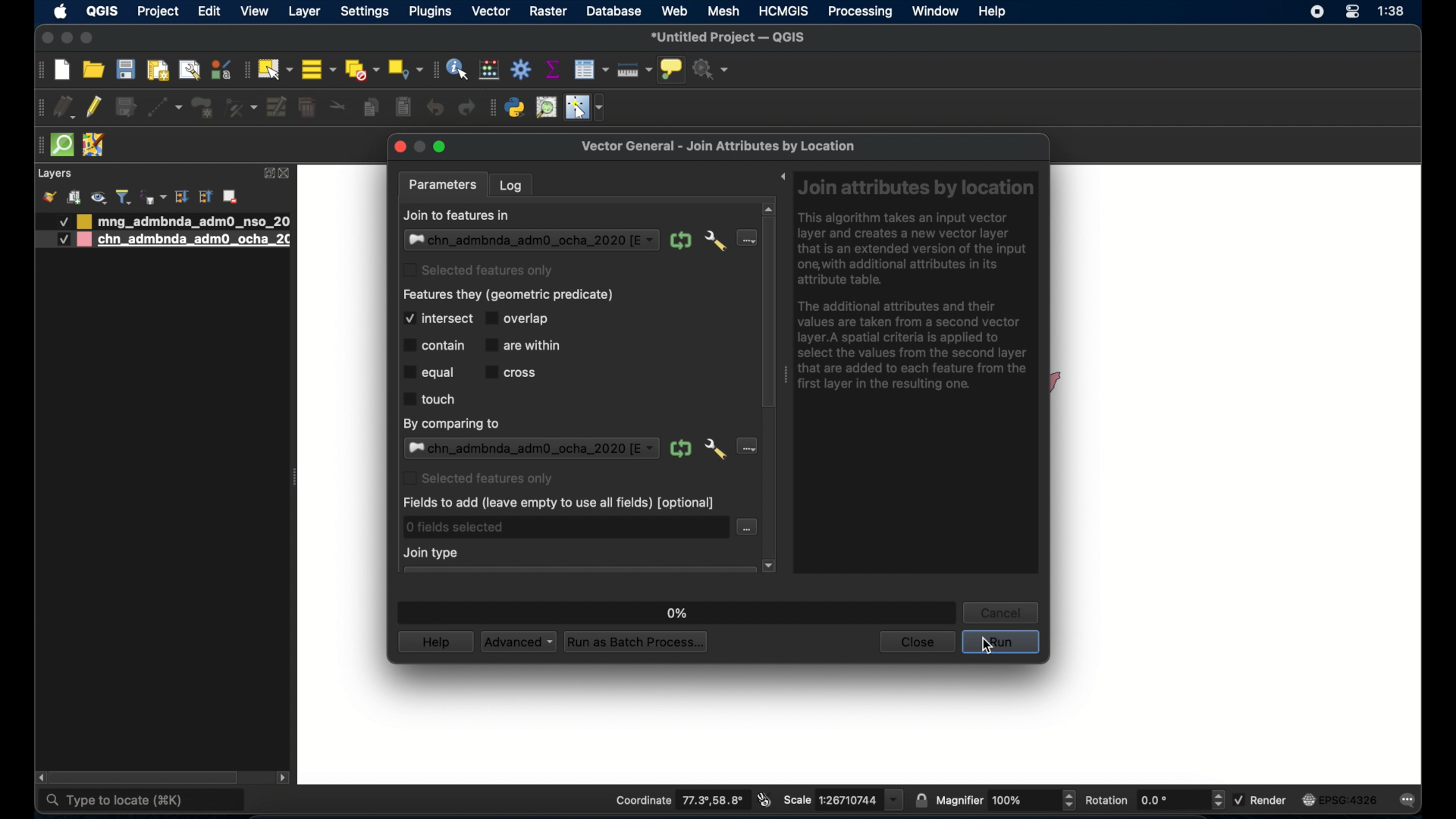  What do you see at coordinates (62, 240) in the screenshot?
I see `` at bounding box center [62, 240].